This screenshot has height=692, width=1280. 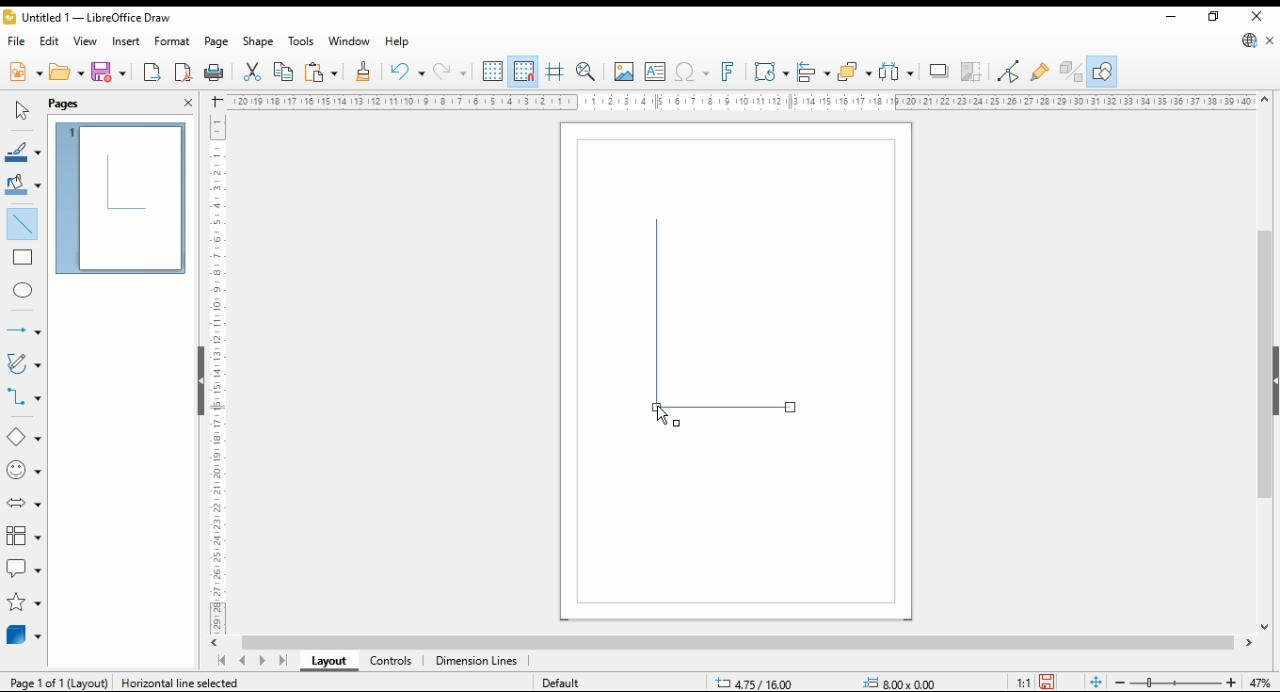 I want to click on decrease zoom, so click(x=1118, y=681).